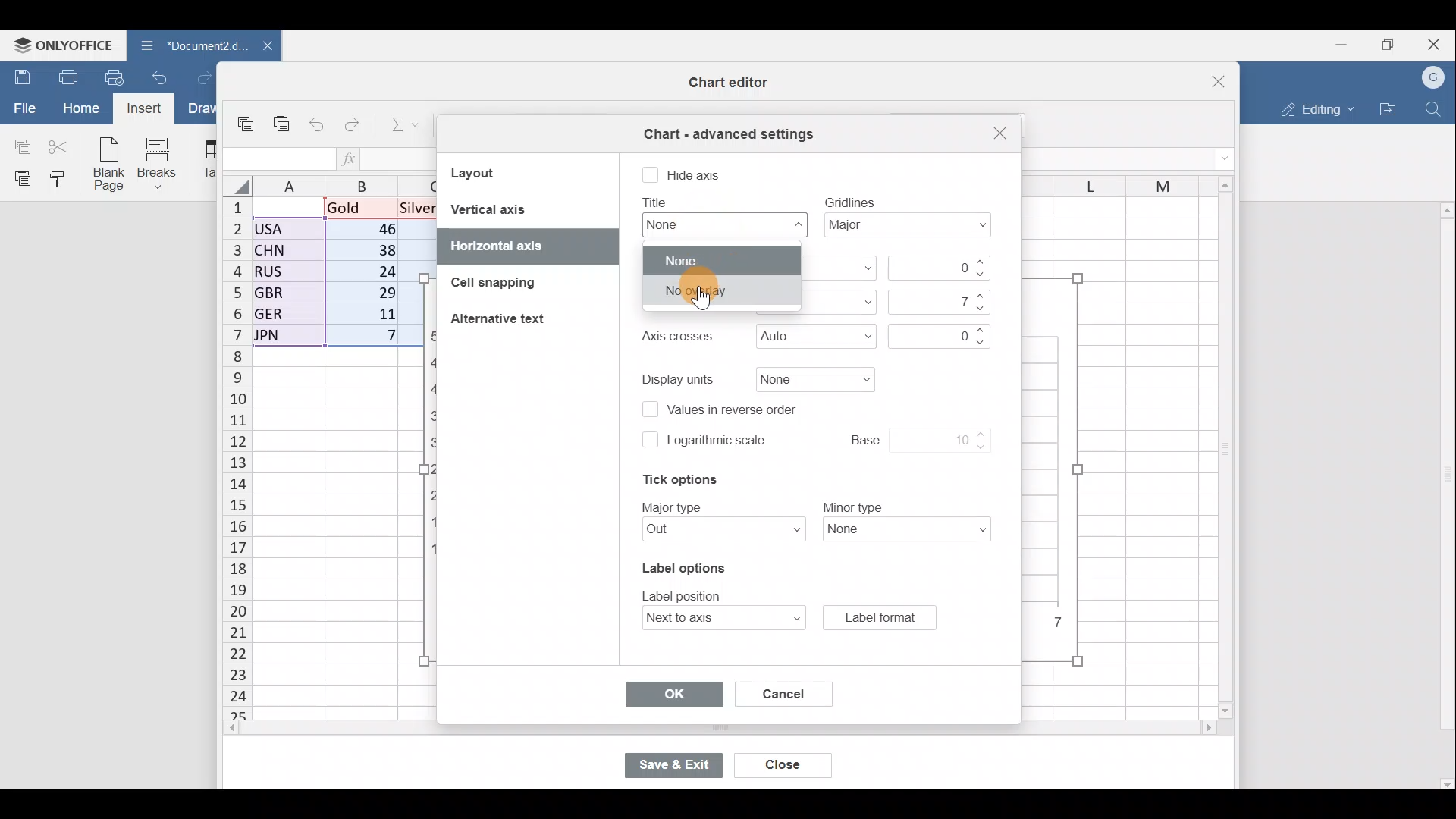 The height and width of the screenshot is (819, 1456). I want to click on Summation, so click(400, 127).